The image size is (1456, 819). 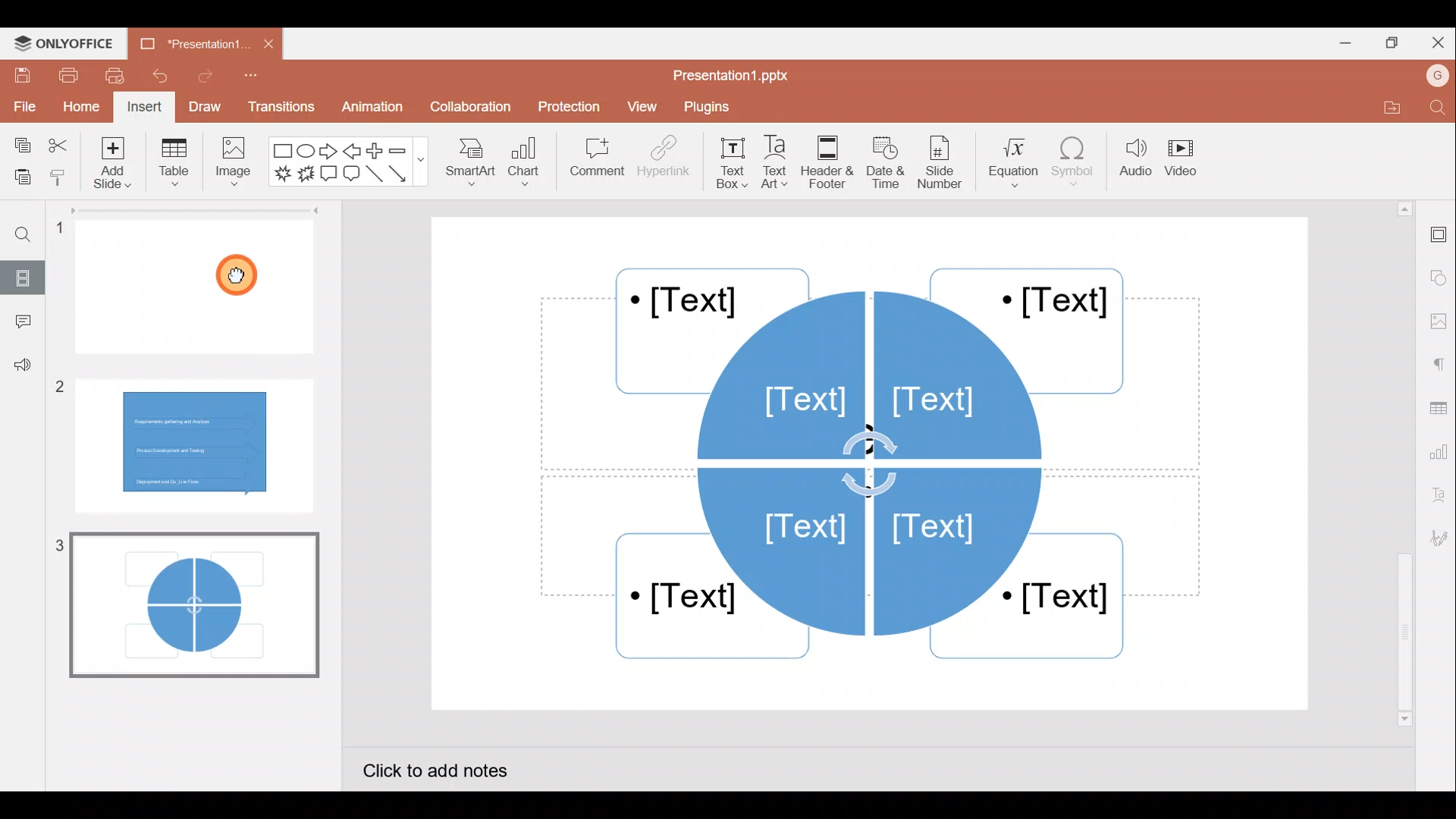 What do you see at coordinates (664, 162) in the screenshot?
I see `Hyperlink` at bounding box center [664, 162].